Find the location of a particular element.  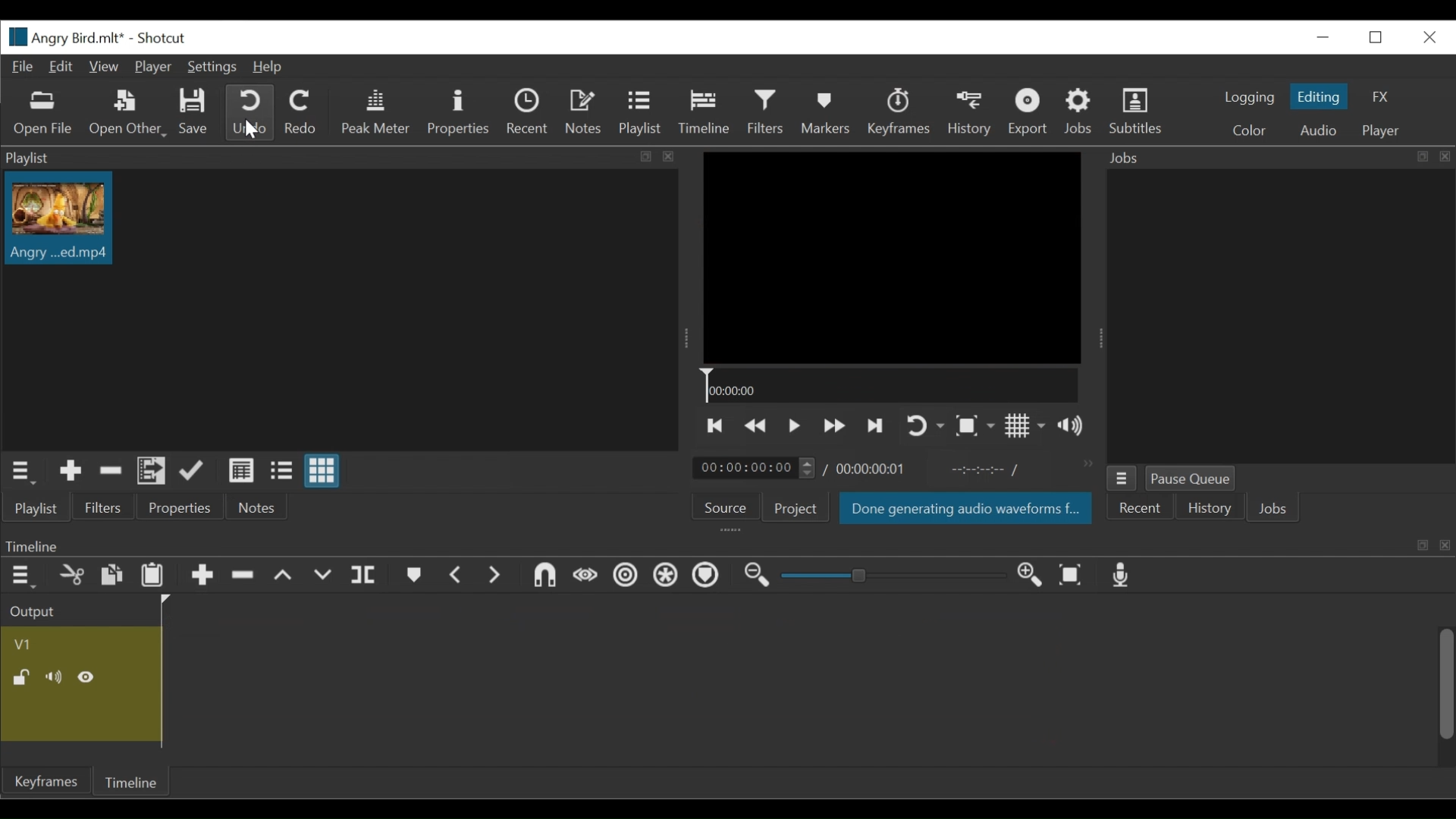

Timeline is located at coordinates (704, 113).